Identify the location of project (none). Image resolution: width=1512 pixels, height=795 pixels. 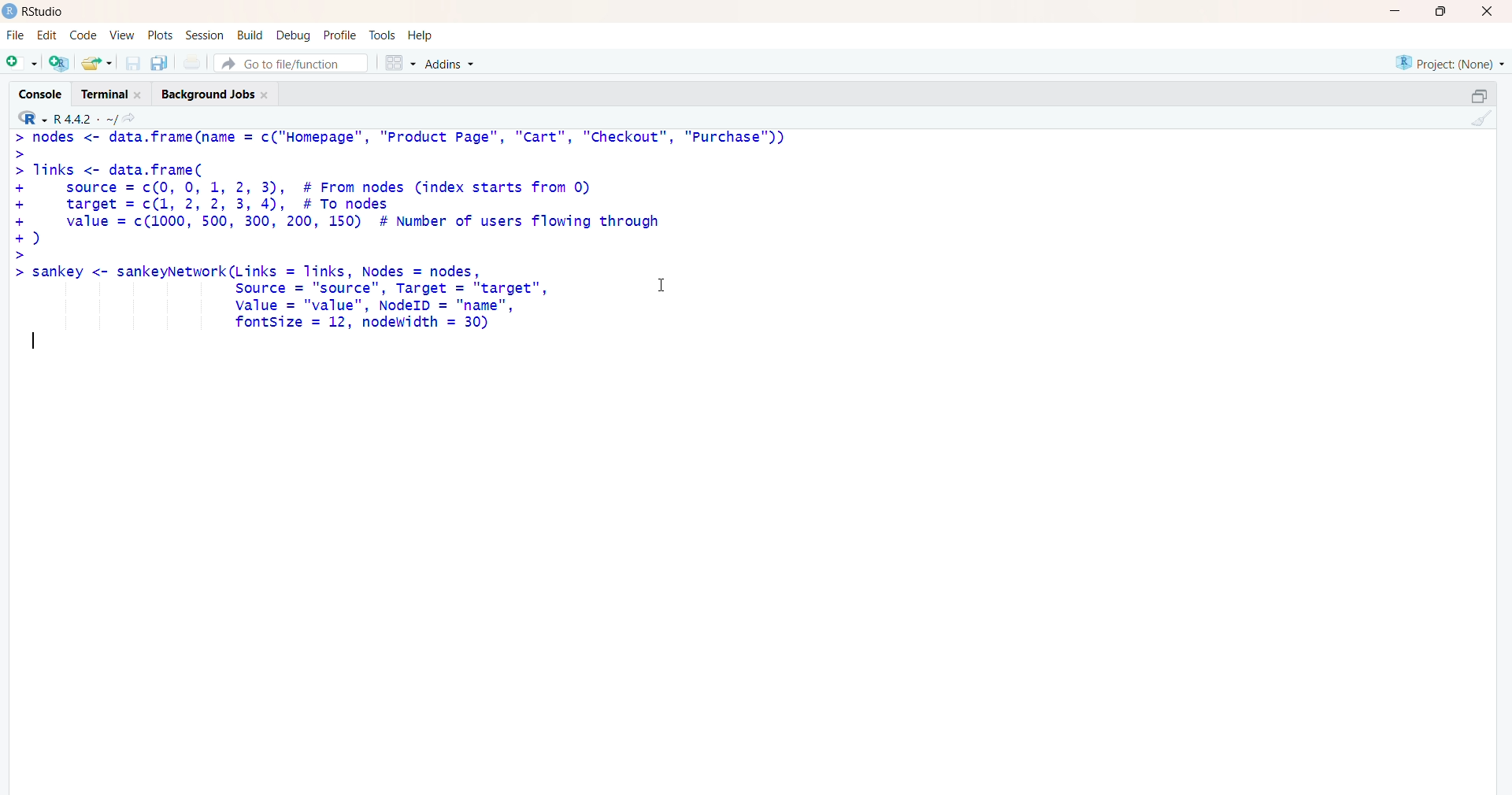
(1440, 62).